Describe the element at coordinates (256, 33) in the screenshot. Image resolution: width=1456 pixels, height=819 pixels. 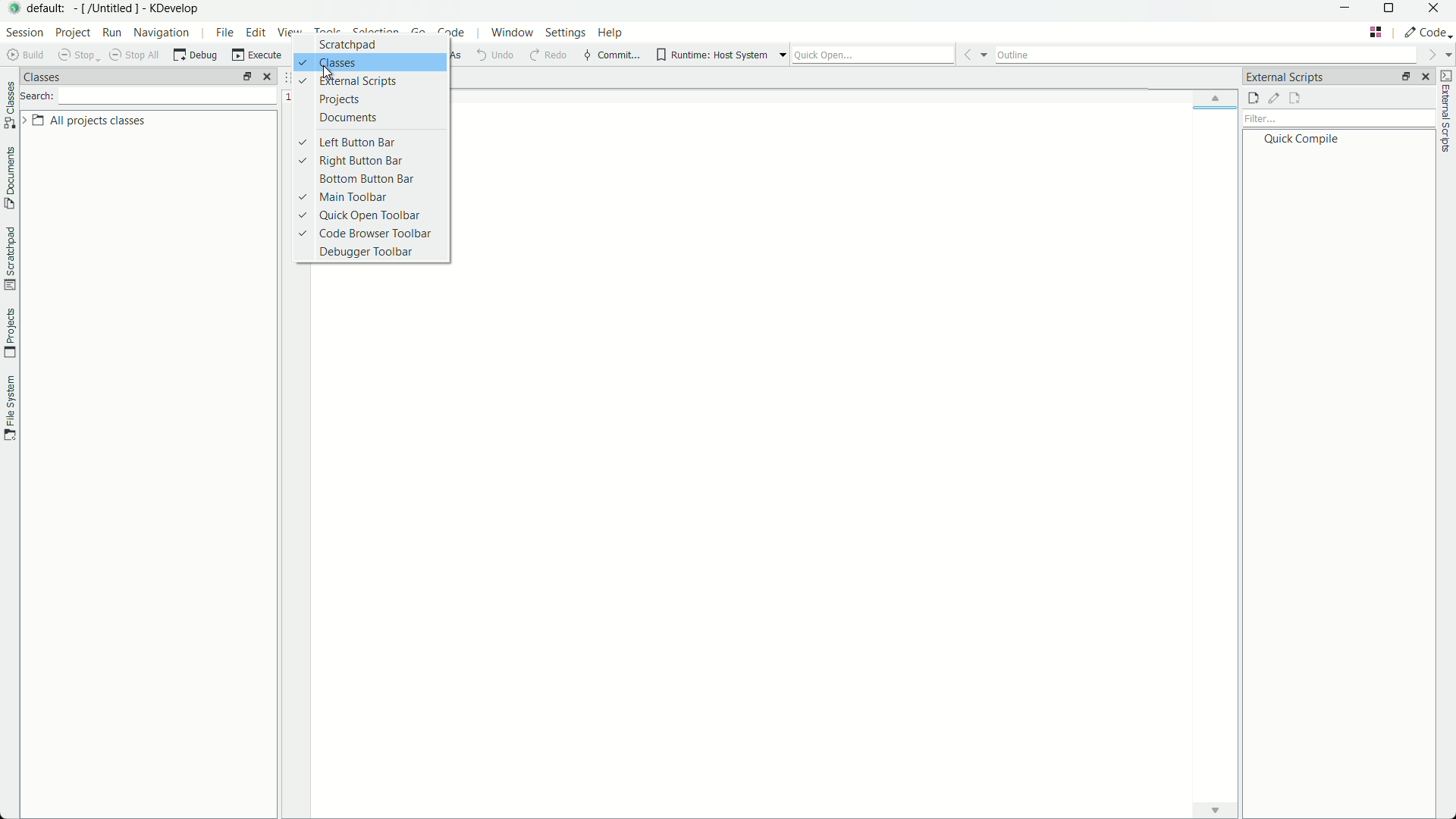
I see `edit` at that location.